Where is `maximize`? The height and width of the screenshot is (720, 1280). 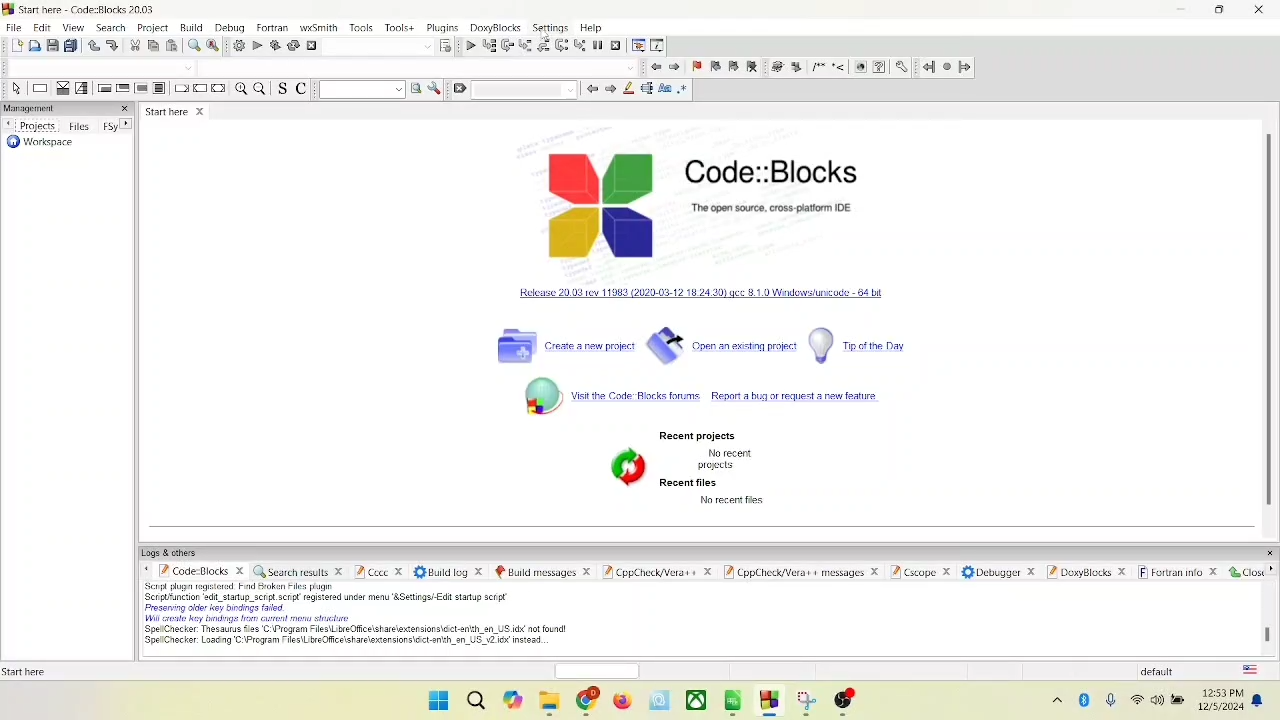 maximize is located at coordinates (1218, 10).